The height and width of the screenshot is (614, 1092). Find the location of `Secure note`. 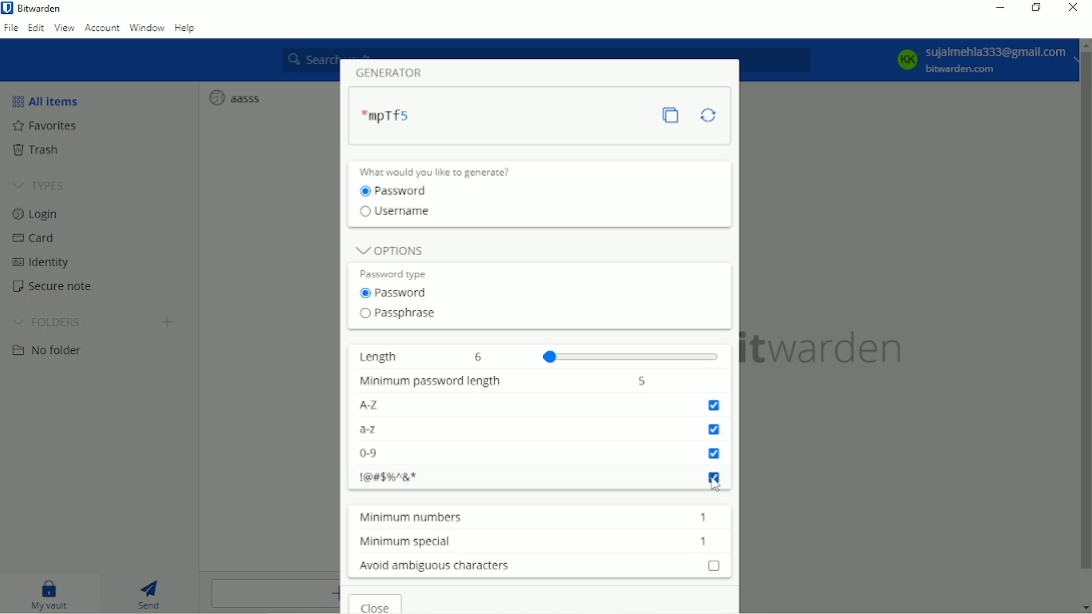

Secure note is located at coordinates (63, 286).